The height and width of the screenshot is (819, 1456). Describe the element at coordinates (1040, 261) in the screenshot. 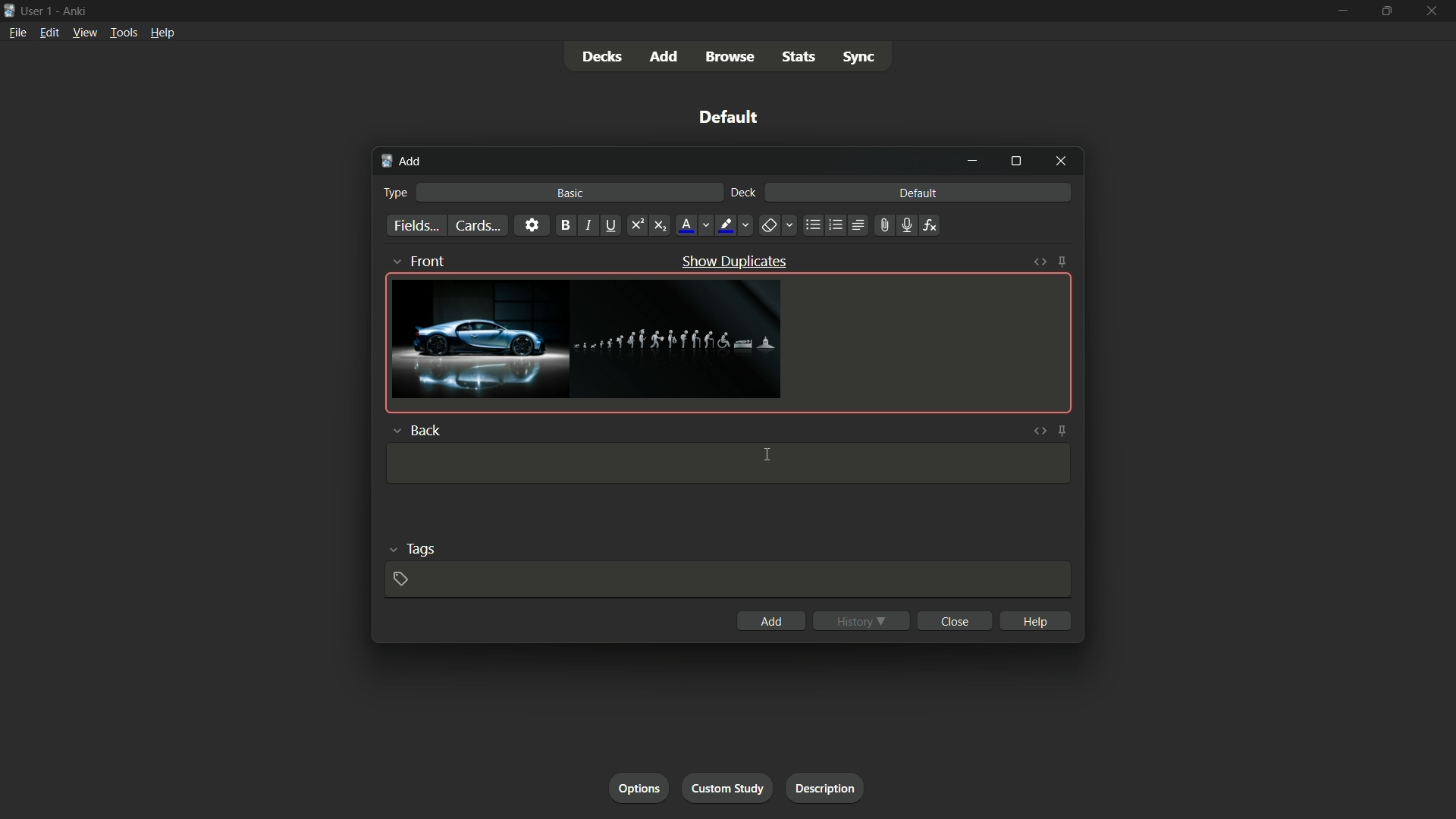

I see `toggle html editor` at that location.